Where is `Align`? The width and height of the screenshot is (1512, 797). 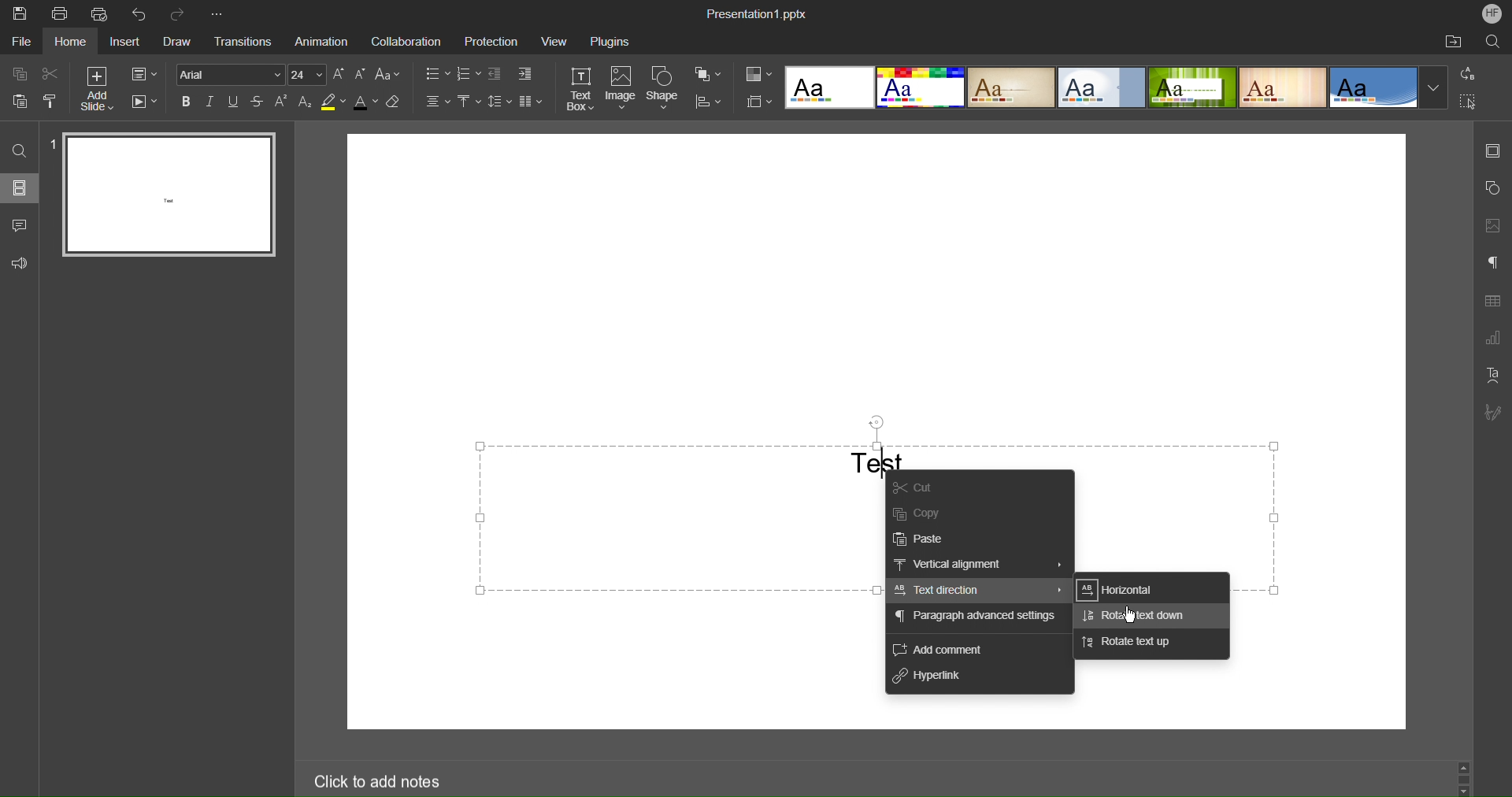
Align is located at coordinates (708, 102).